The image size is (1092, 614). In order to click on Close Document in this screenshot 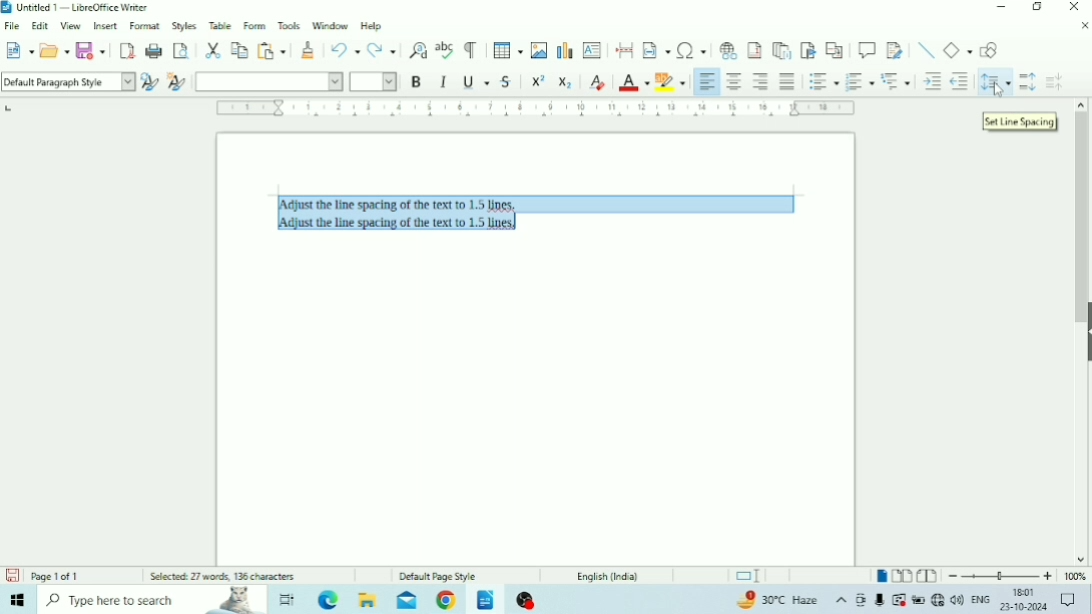, I will do `click(1083, 26)`.